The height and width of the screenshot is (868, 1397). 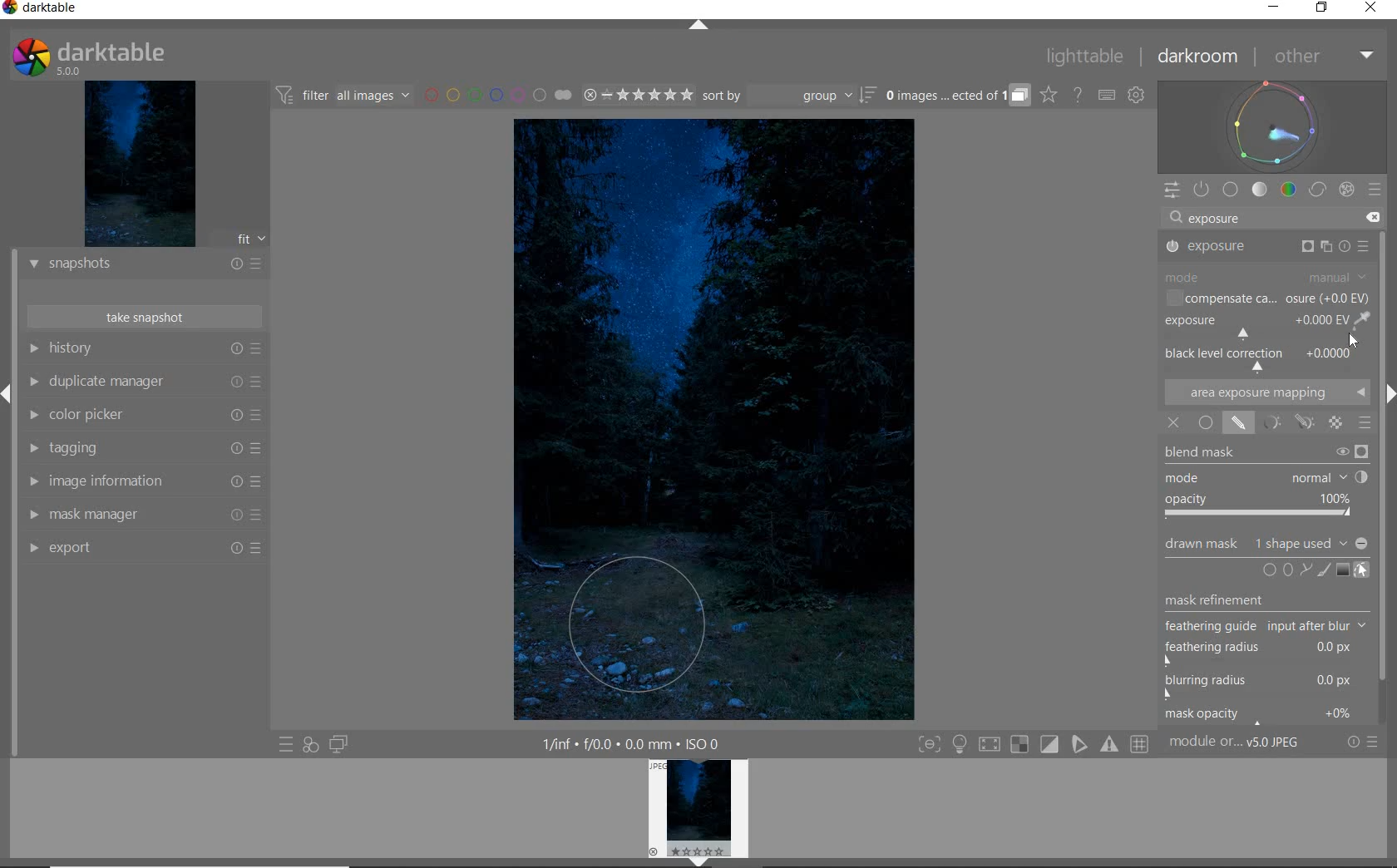 What do you see at coordinates (1219, 218) in the screenshot?
I see `exposure` at bounding box center [1219, 218].